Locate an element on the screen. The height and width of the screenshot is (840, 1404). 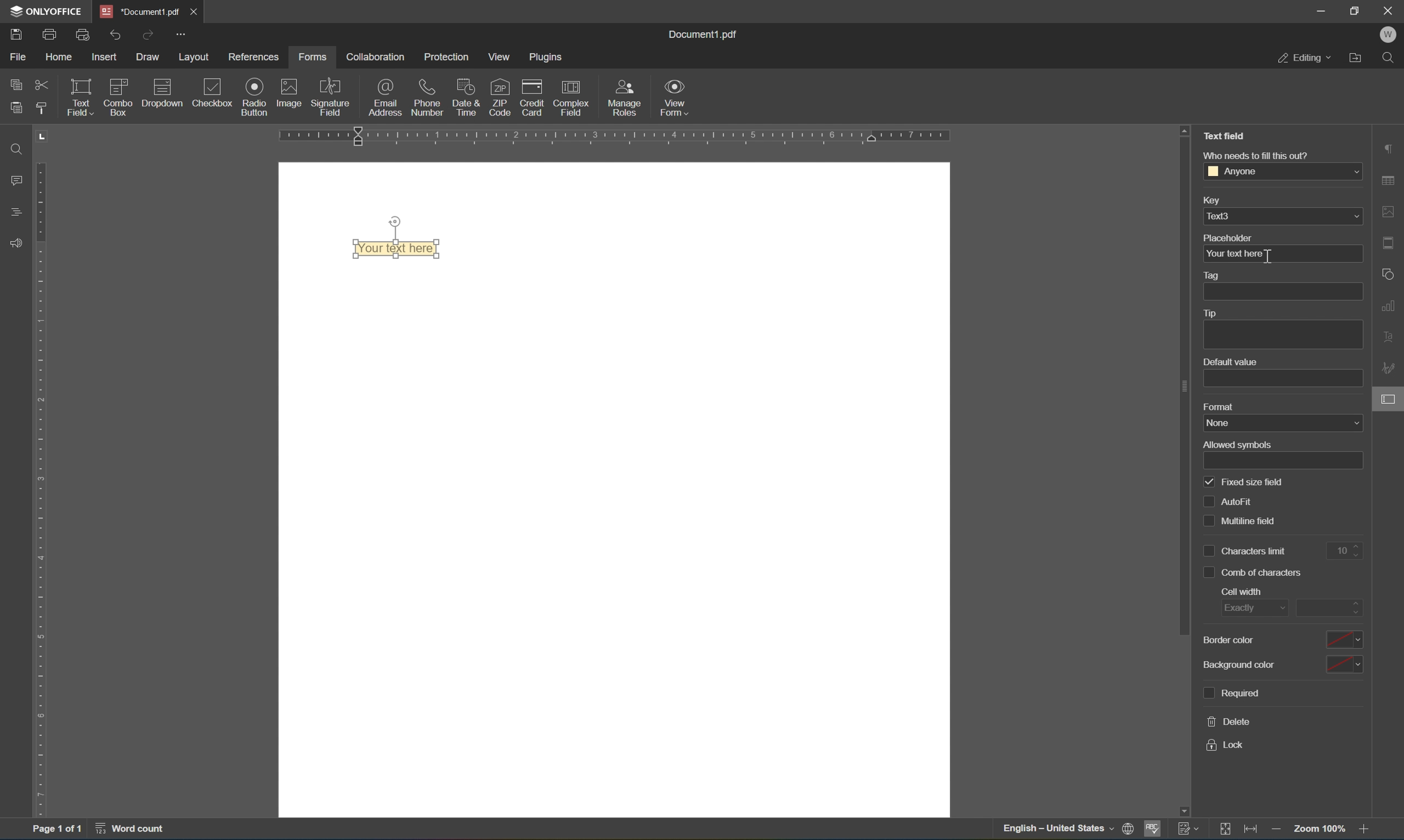
default value is located at coordinates (1231, 362).